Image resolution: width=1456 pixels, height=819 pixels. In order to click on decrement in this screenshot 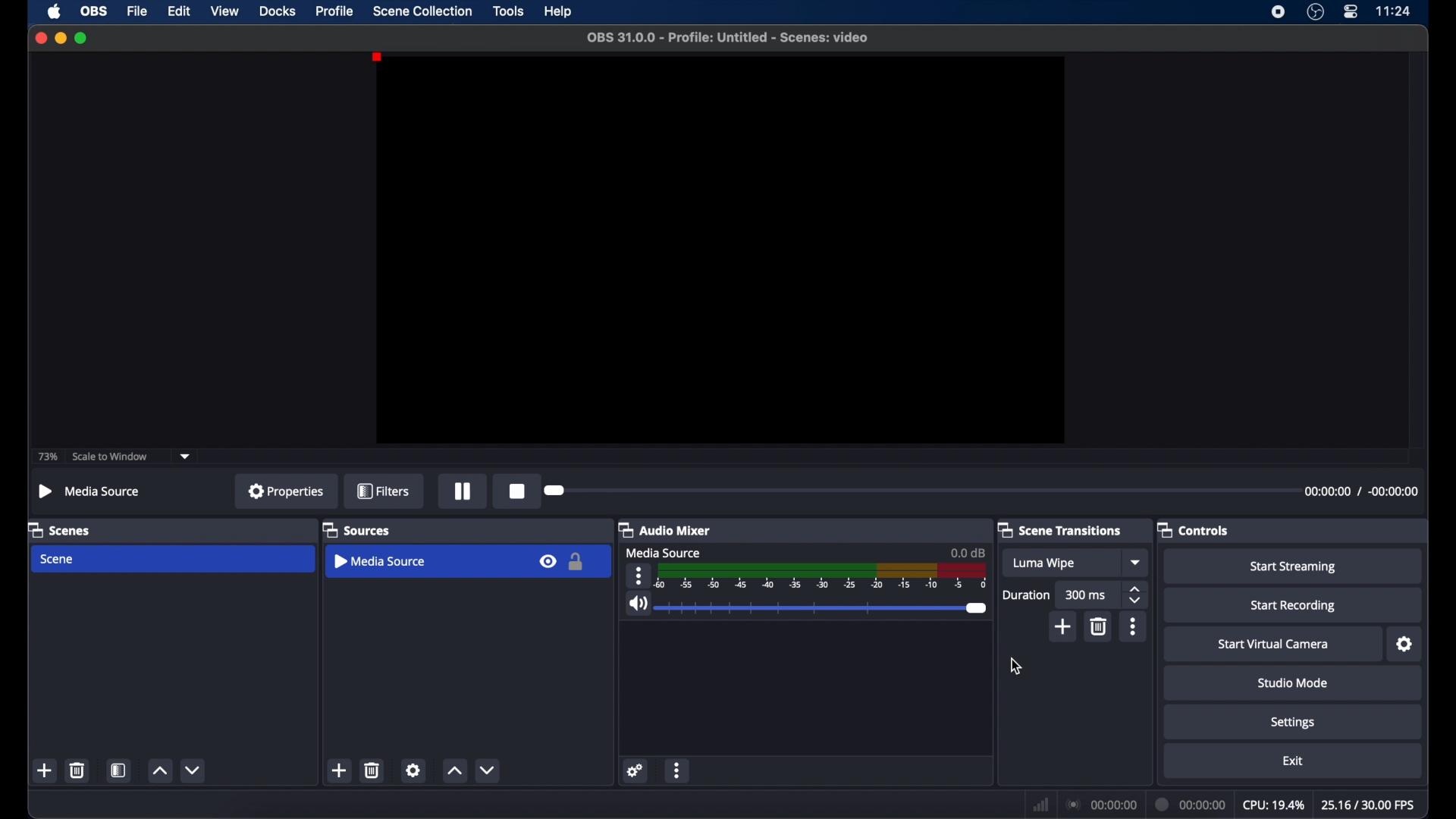, I will do `click(194, 770)`.